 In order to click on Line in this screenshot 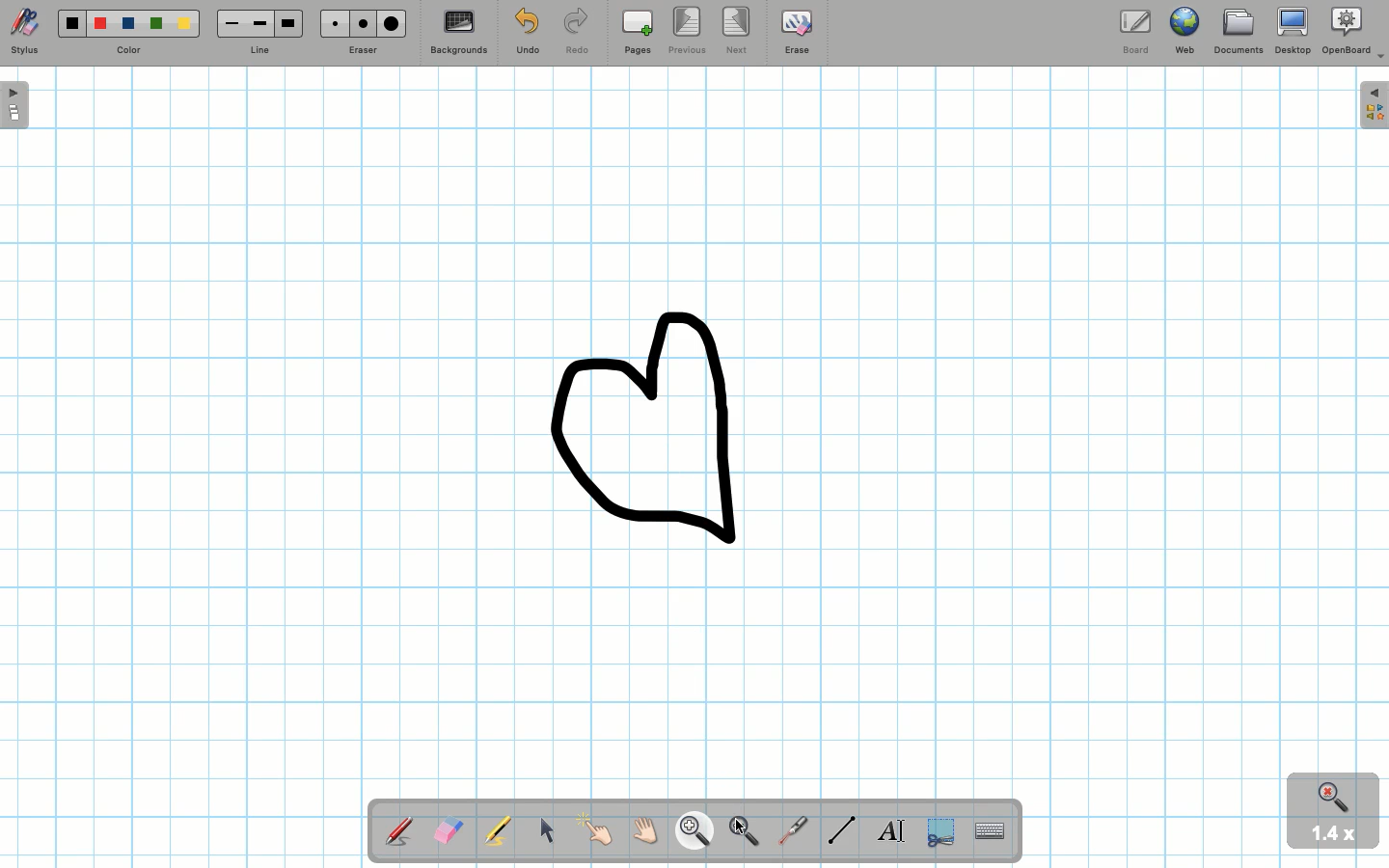, I will do `click(838, 829)`.